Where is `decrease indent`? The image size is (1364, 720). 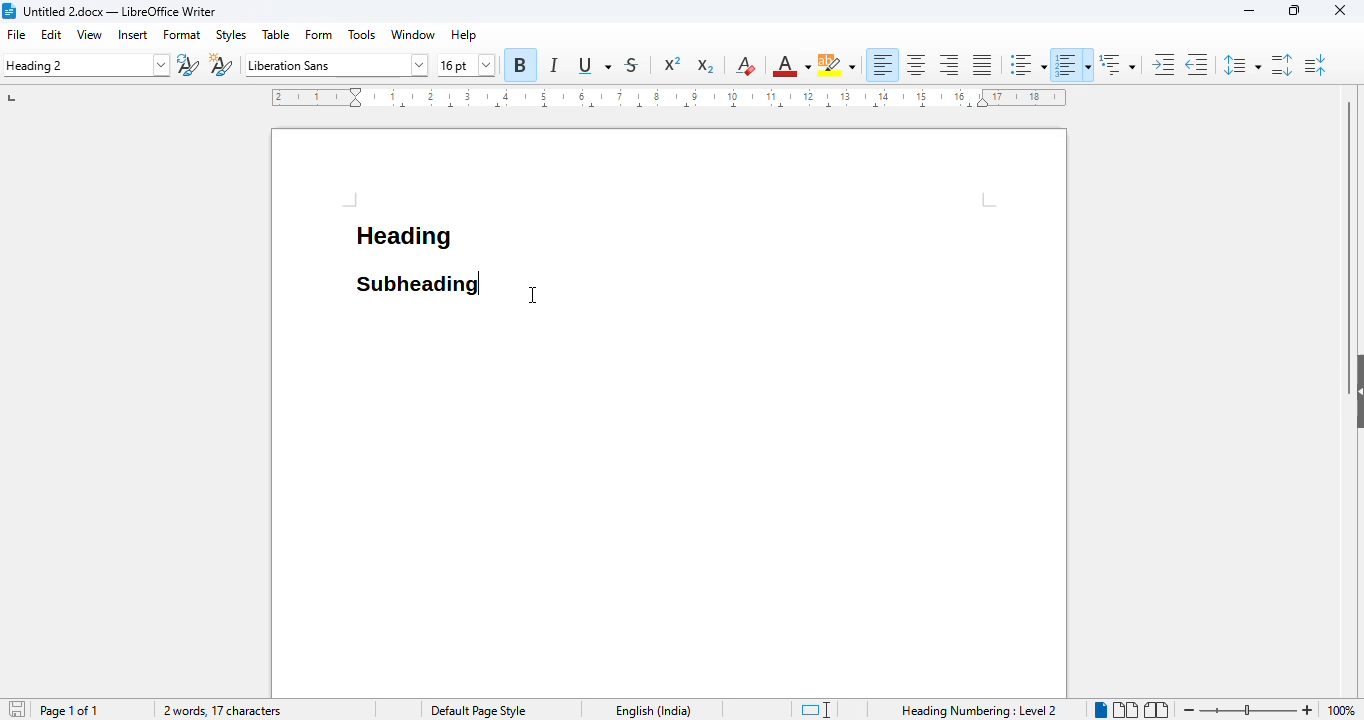 decrease indent is located at coordinates (1197, 64).